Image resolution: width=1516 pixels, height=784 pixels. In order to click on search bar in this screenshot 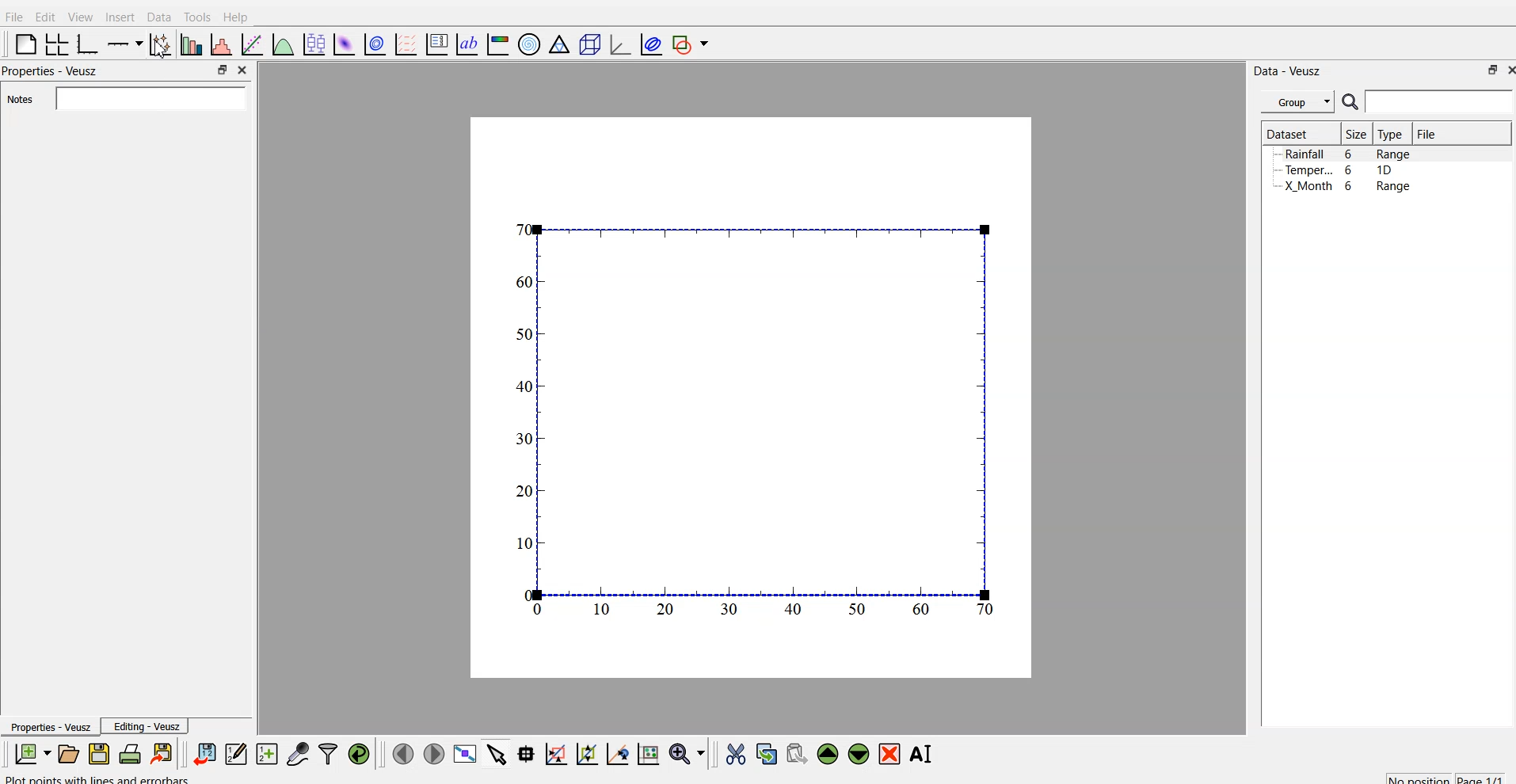, I will do `click(148, 100)`.